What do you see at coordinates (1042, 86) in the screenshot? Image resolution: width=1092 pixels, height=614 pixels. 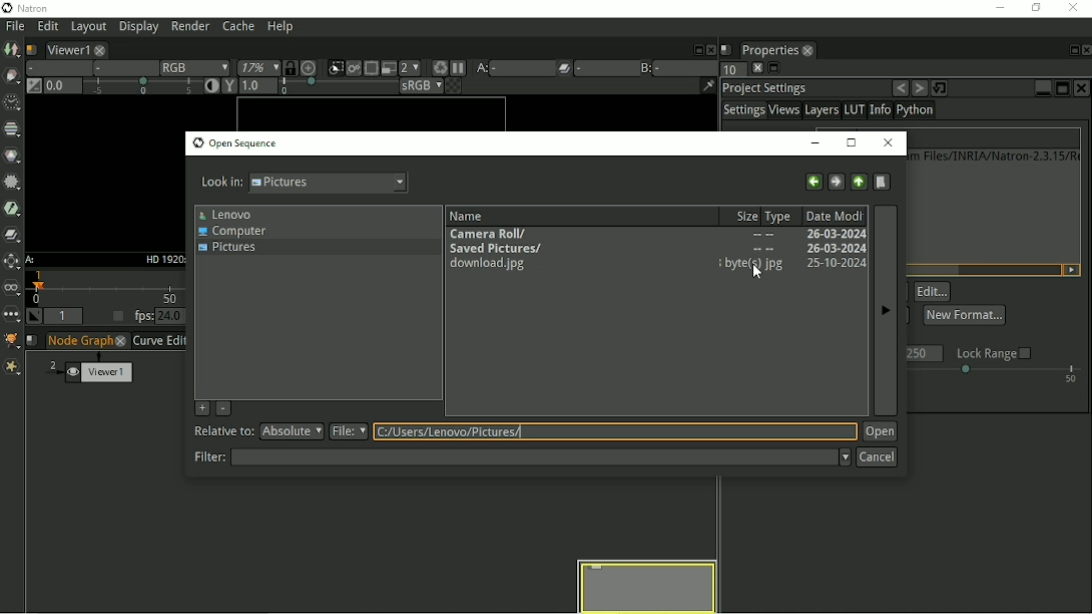 I see `Minimize` at bounding box center [1042, 86].